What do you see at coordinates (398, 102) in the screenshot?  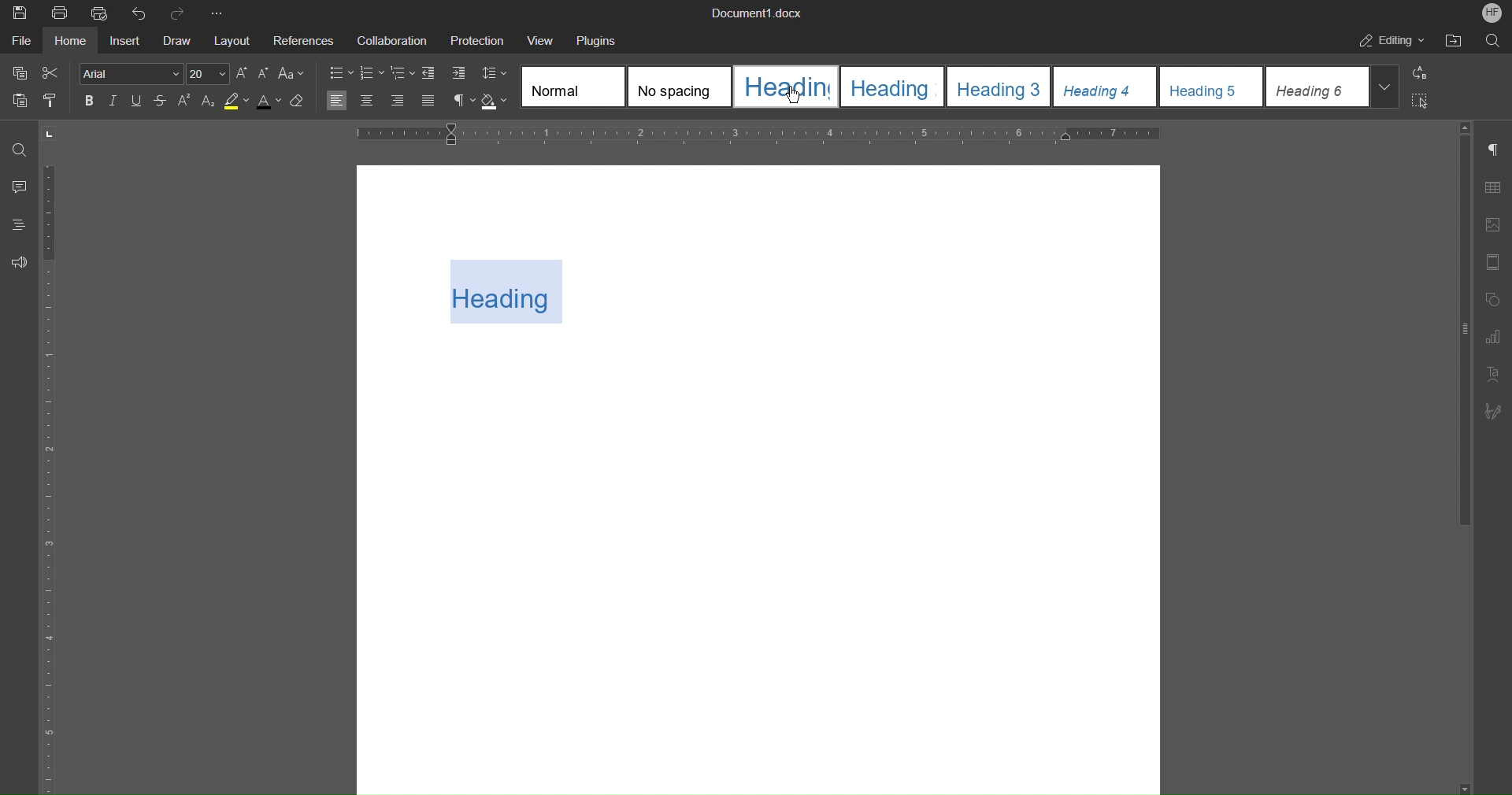 I see `Right Align` at bounding box center [398, 102].